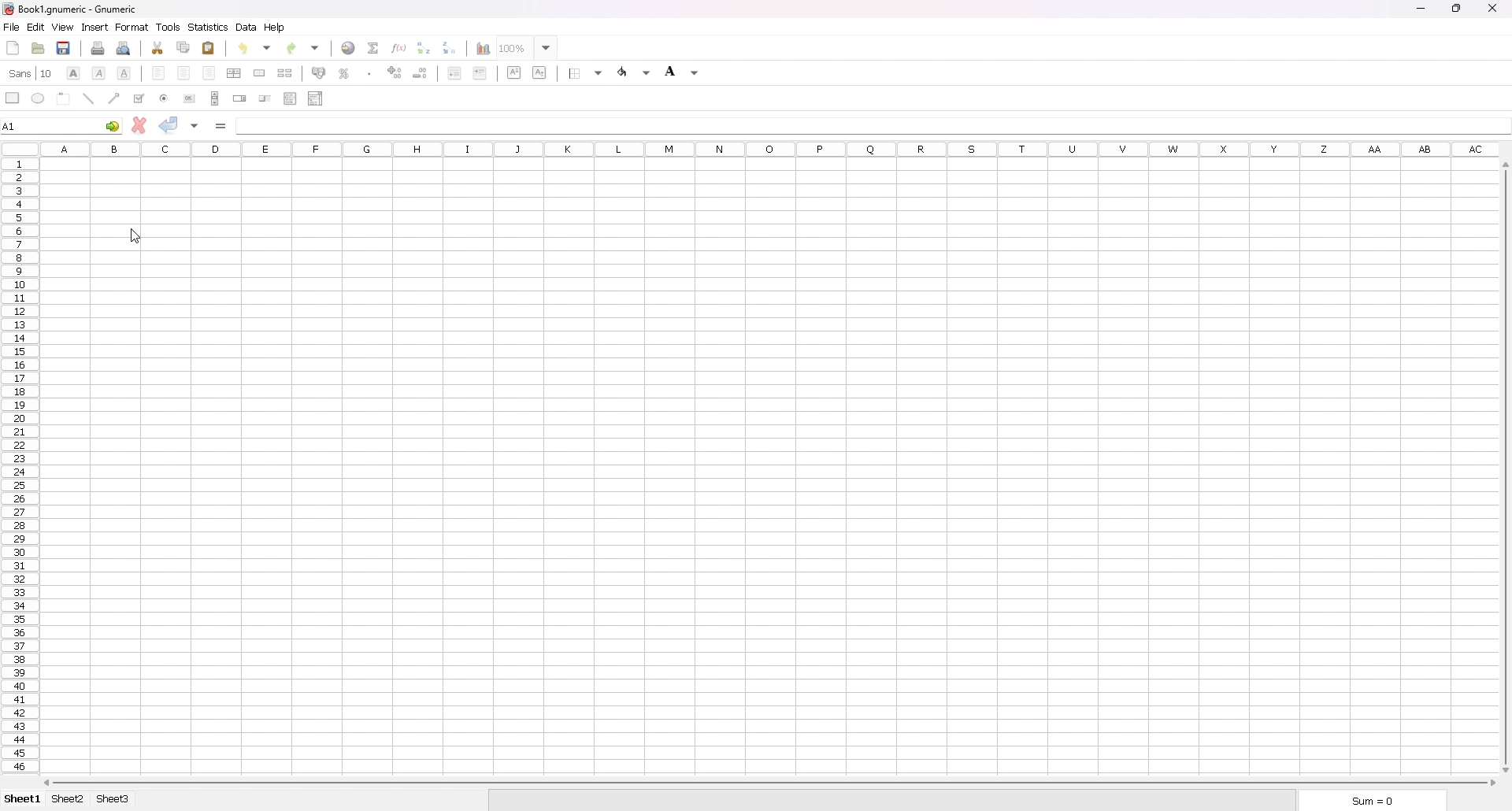 The image size is (1512, 811). Describe the element at coordinates (254, 48) in the screenshot. I see `undo` at that location.